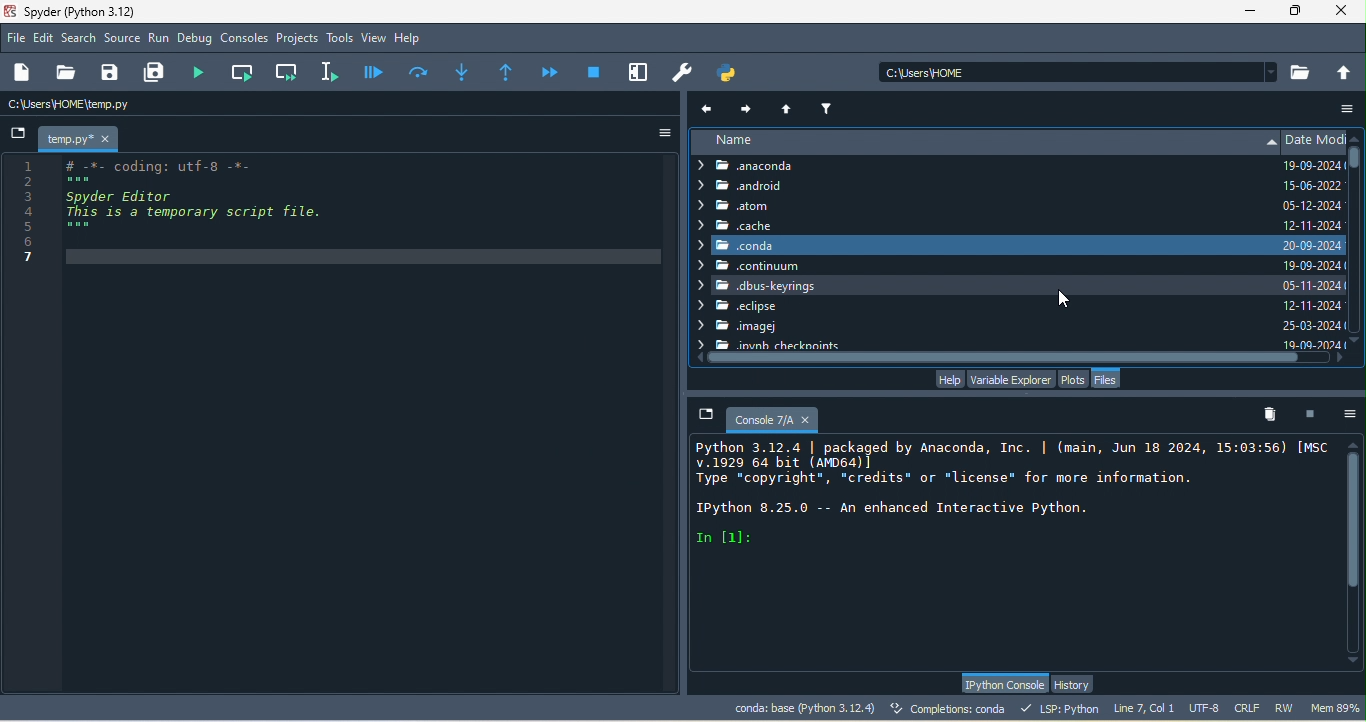  What do you see at coordinates (1206, 709) in the screenshot?
I see `utf 8` at bounding box center [1206, 709].